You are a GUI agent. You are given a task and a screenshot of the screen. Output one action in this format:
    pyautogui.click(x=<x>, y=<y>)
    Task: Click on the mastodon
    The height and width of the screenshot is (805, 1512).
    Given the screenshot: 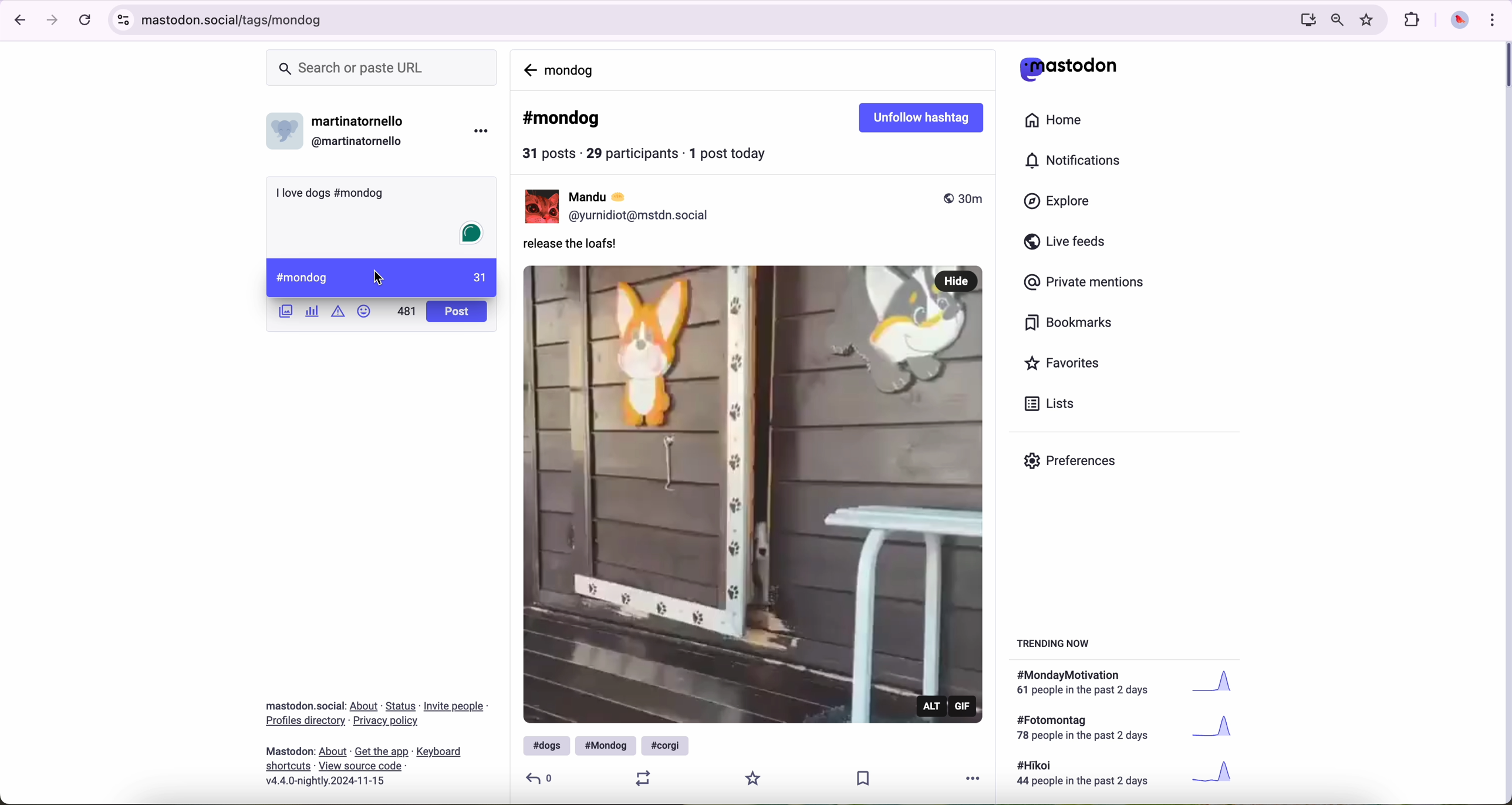 What is the action you would take?
    pyautogui.click(x=291, y=751)
    